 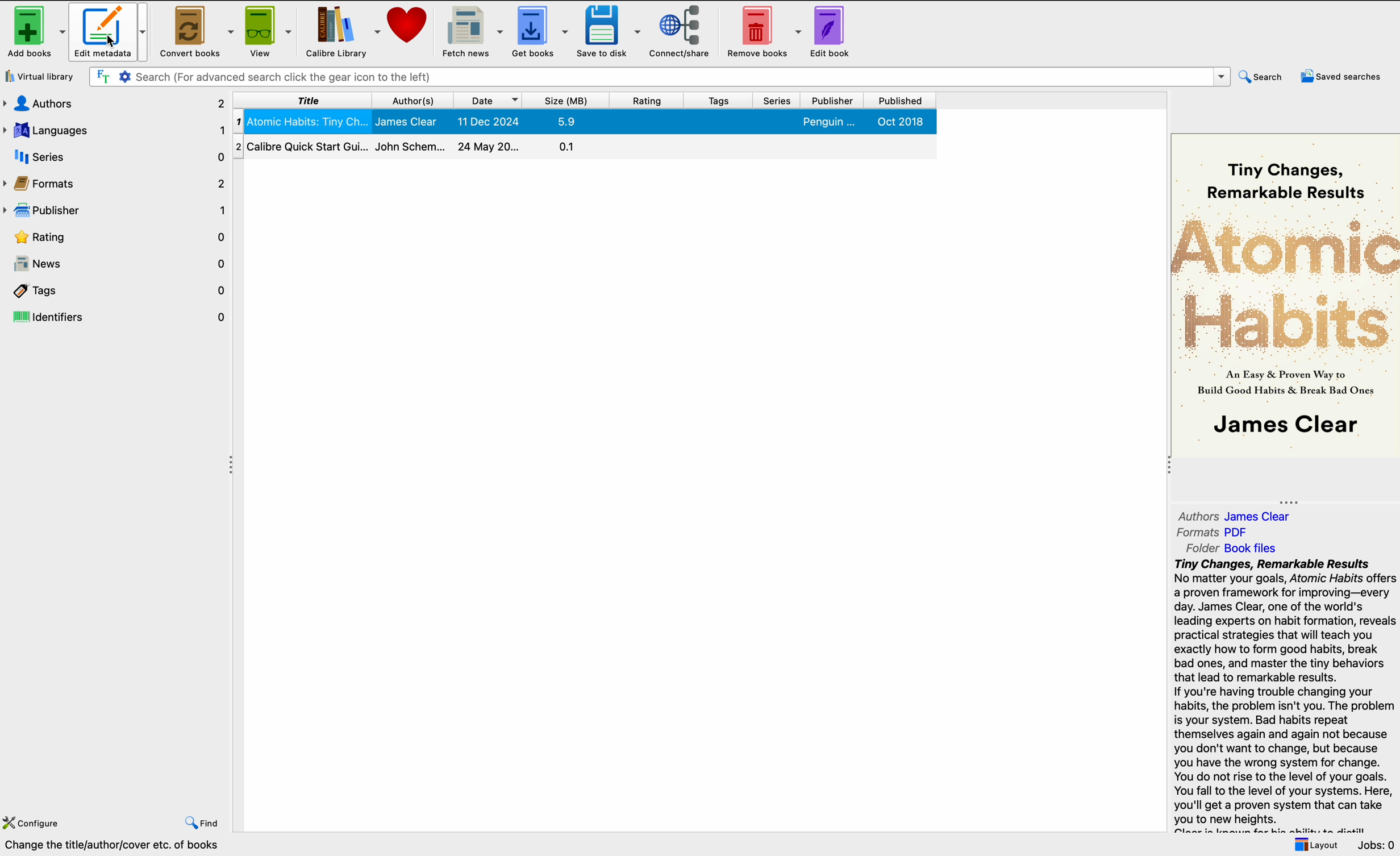 What do you see at coordinates (489, 101) in the screenshot?
I see `date` at bounding box center [489, 101].